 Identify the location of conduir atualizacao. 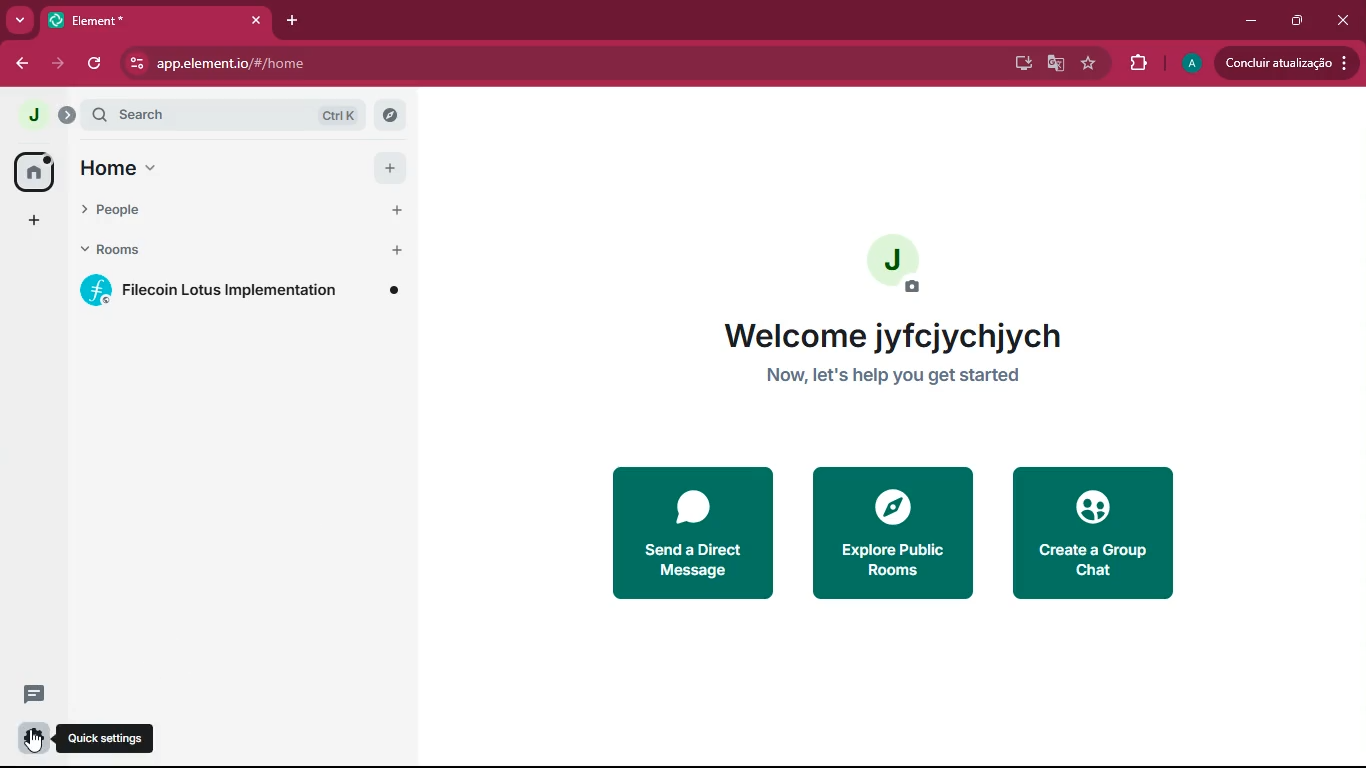
(1285, 63).